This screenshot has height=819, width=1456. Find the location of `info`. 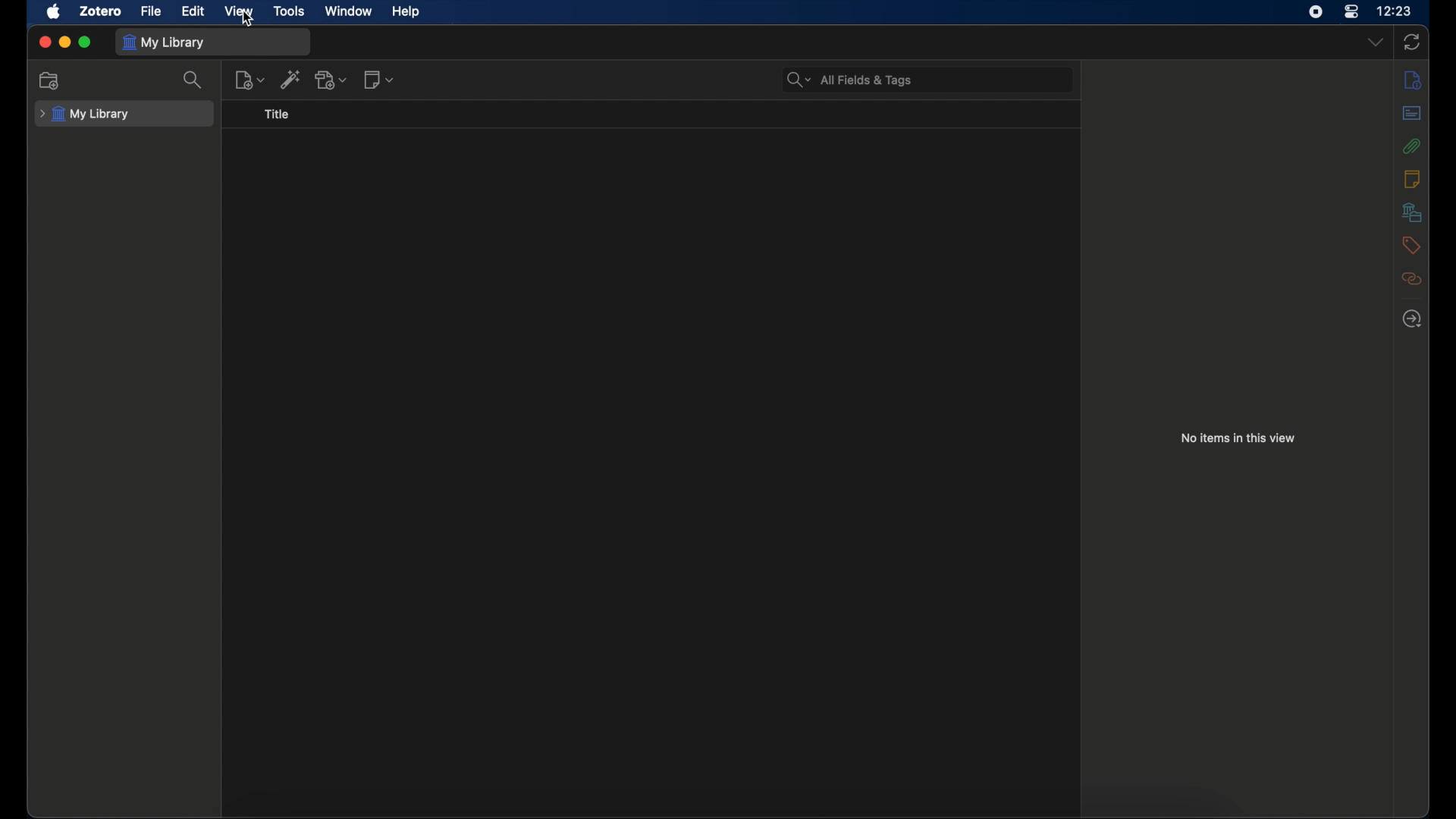

info is located at coordinates (1414, 80).